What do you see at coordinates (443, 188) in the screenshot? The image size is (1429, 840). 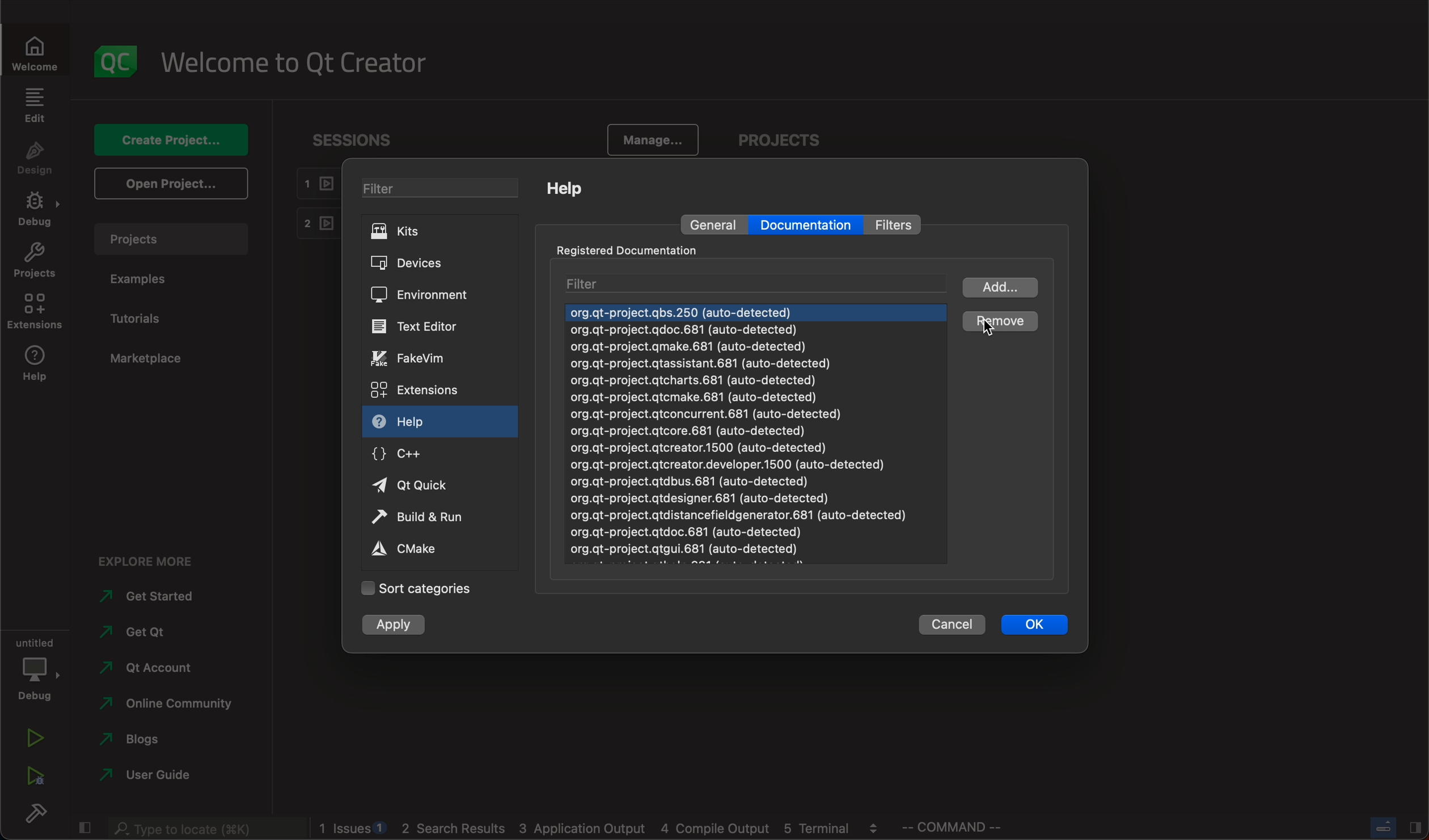 I see `filter` at bounding box center [443, 188].